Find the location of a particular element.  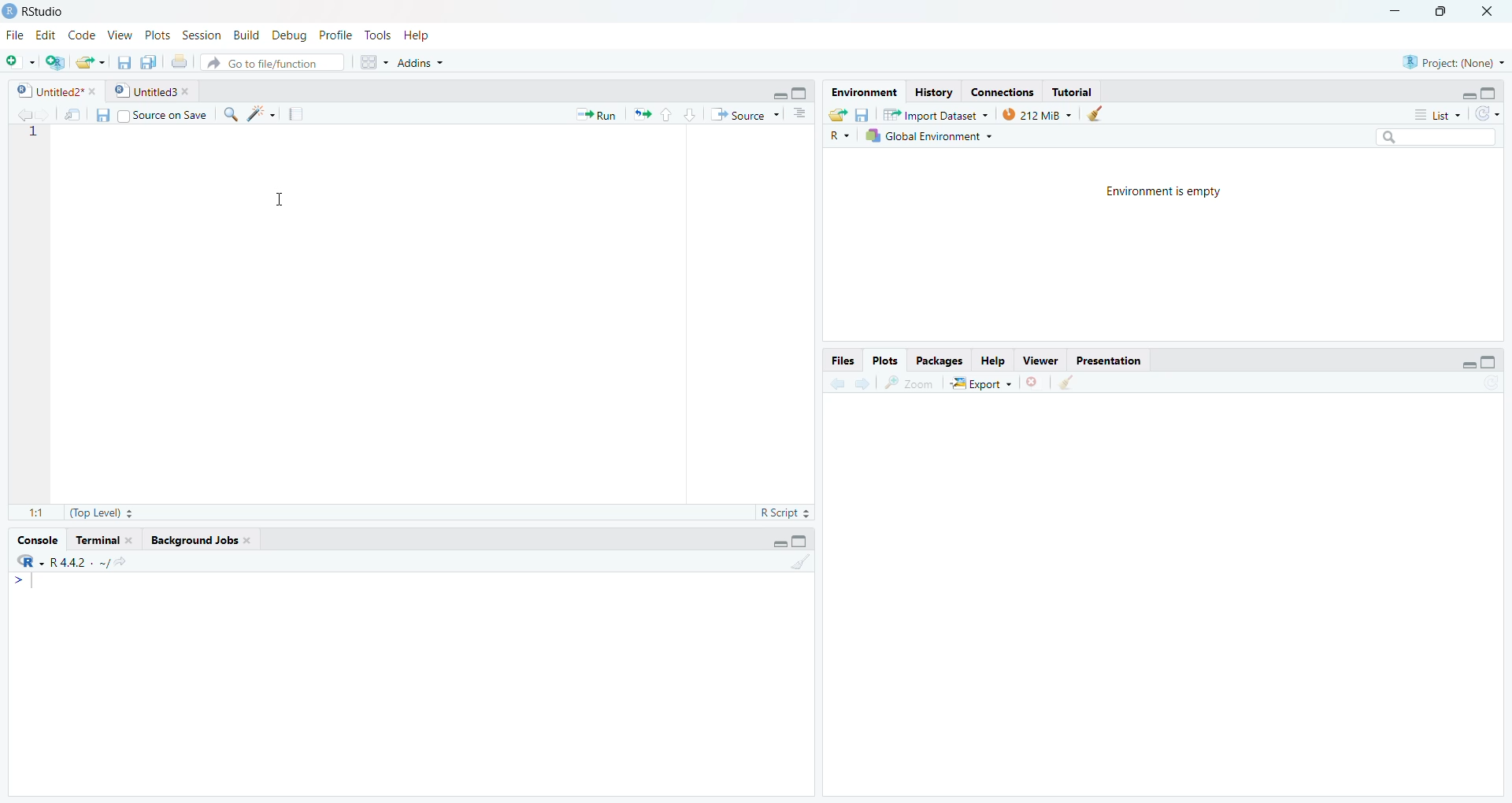

open an existing file is located at coordinates (92, 63).